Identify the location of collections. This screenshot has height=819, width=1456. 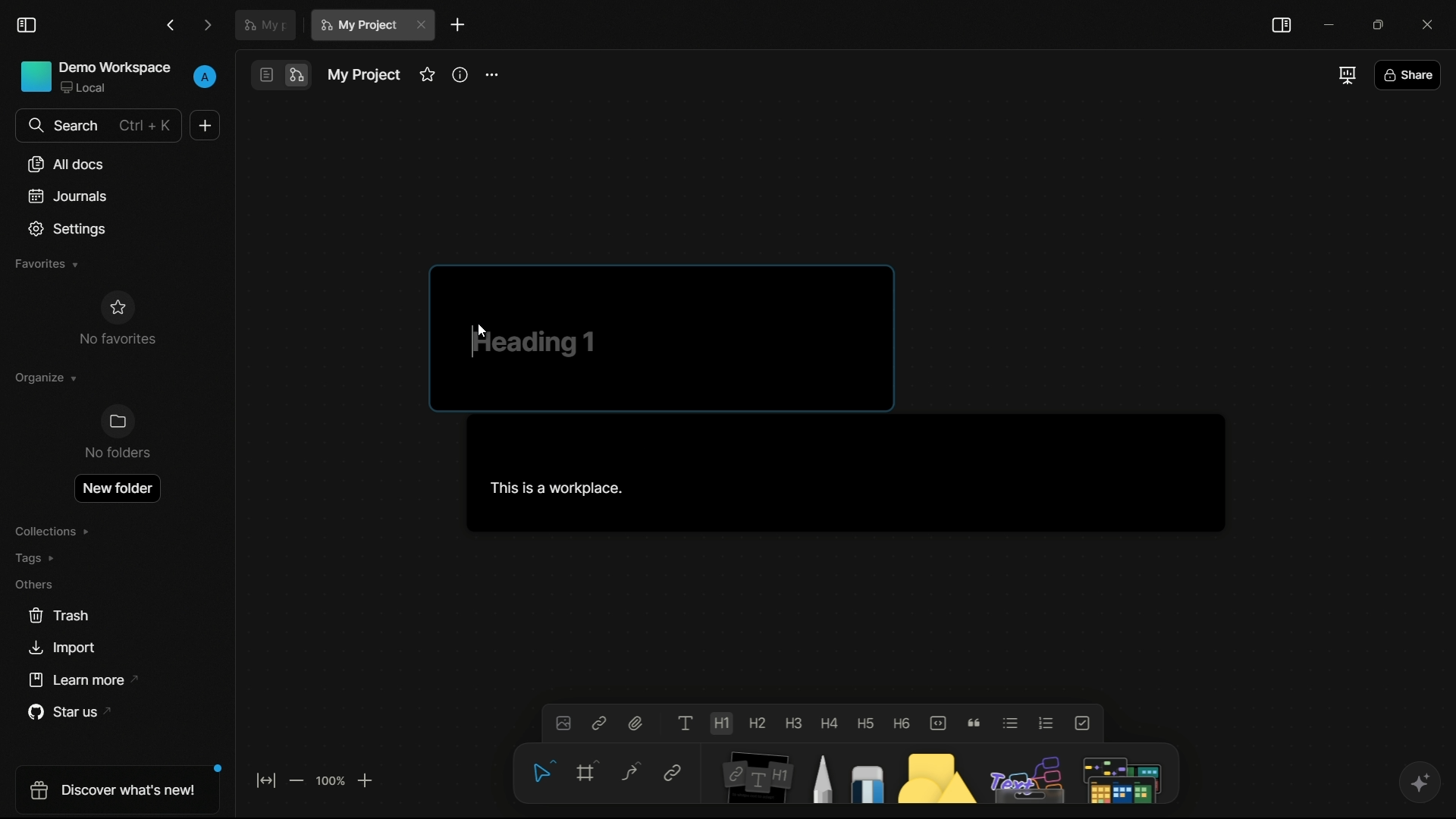
(55, 530).